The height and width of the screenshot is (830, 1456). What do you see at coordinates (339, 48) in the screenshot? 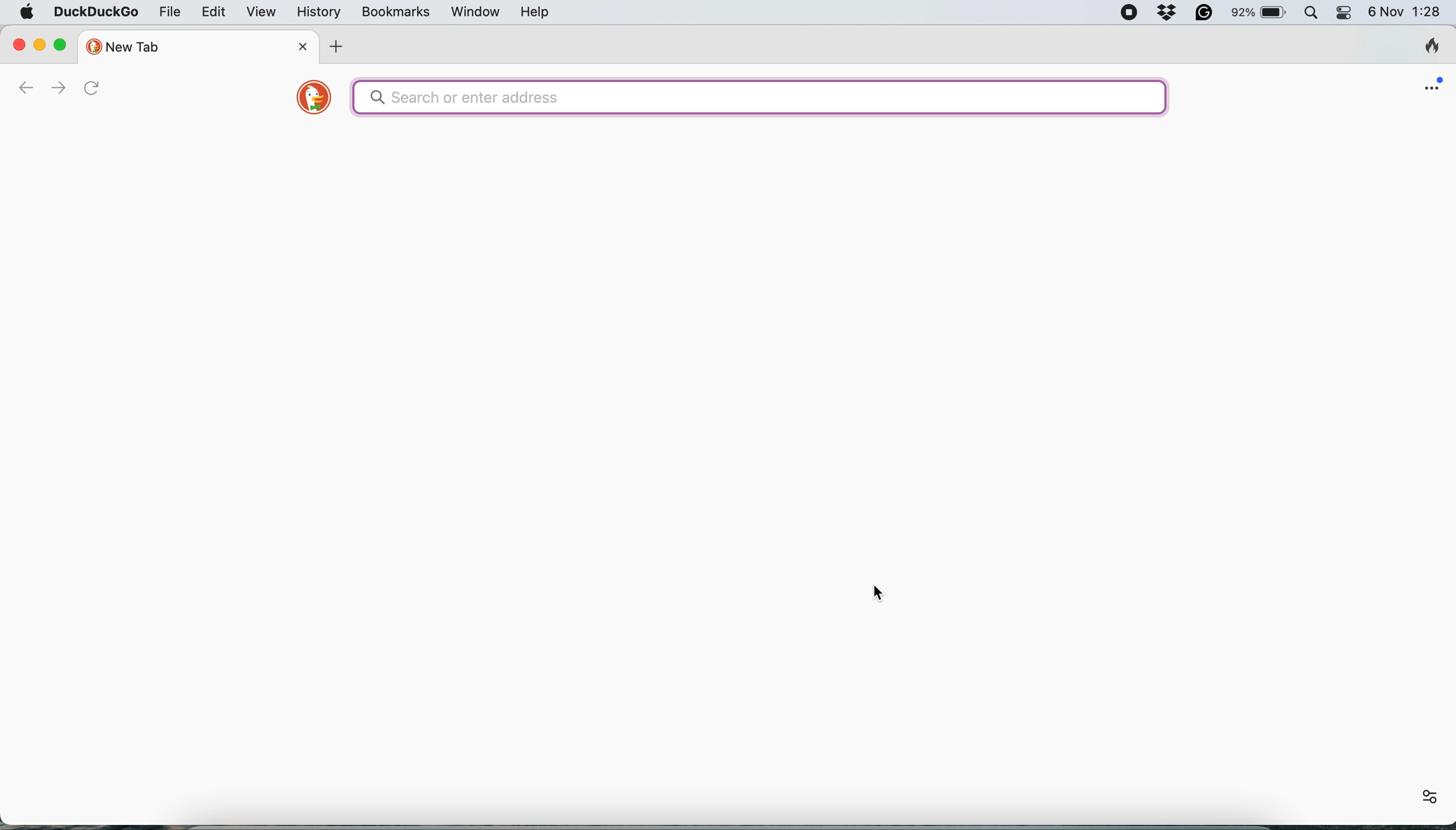
I see `add new tab` at bounding box center [339, 48].